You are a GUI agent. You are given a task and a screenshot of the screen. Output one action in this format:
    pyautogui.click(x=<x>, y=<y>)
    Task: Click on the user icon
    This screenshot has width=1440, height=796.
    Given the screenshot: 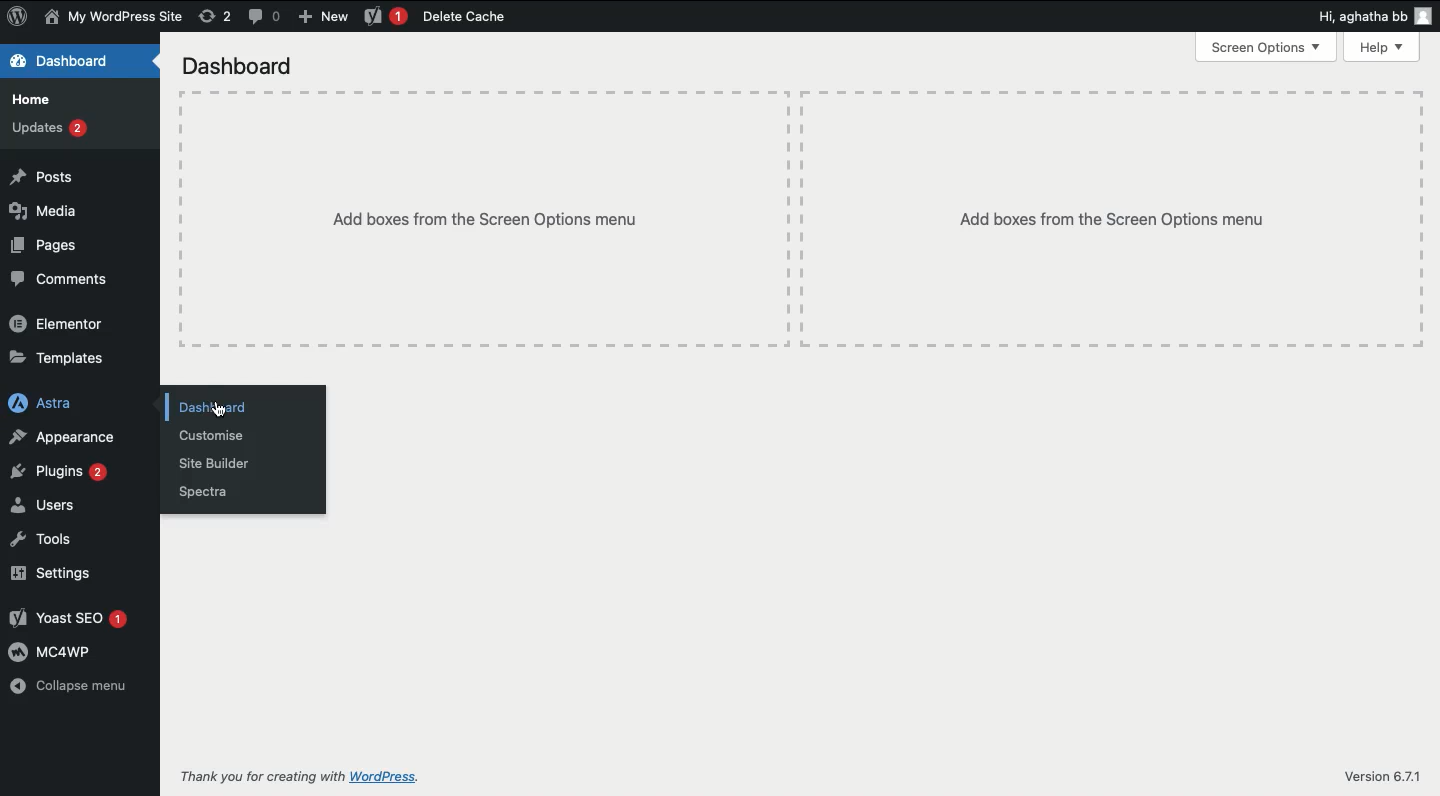 What is the action you would take?
    pyautogui.click(x=1421, y=18)
    